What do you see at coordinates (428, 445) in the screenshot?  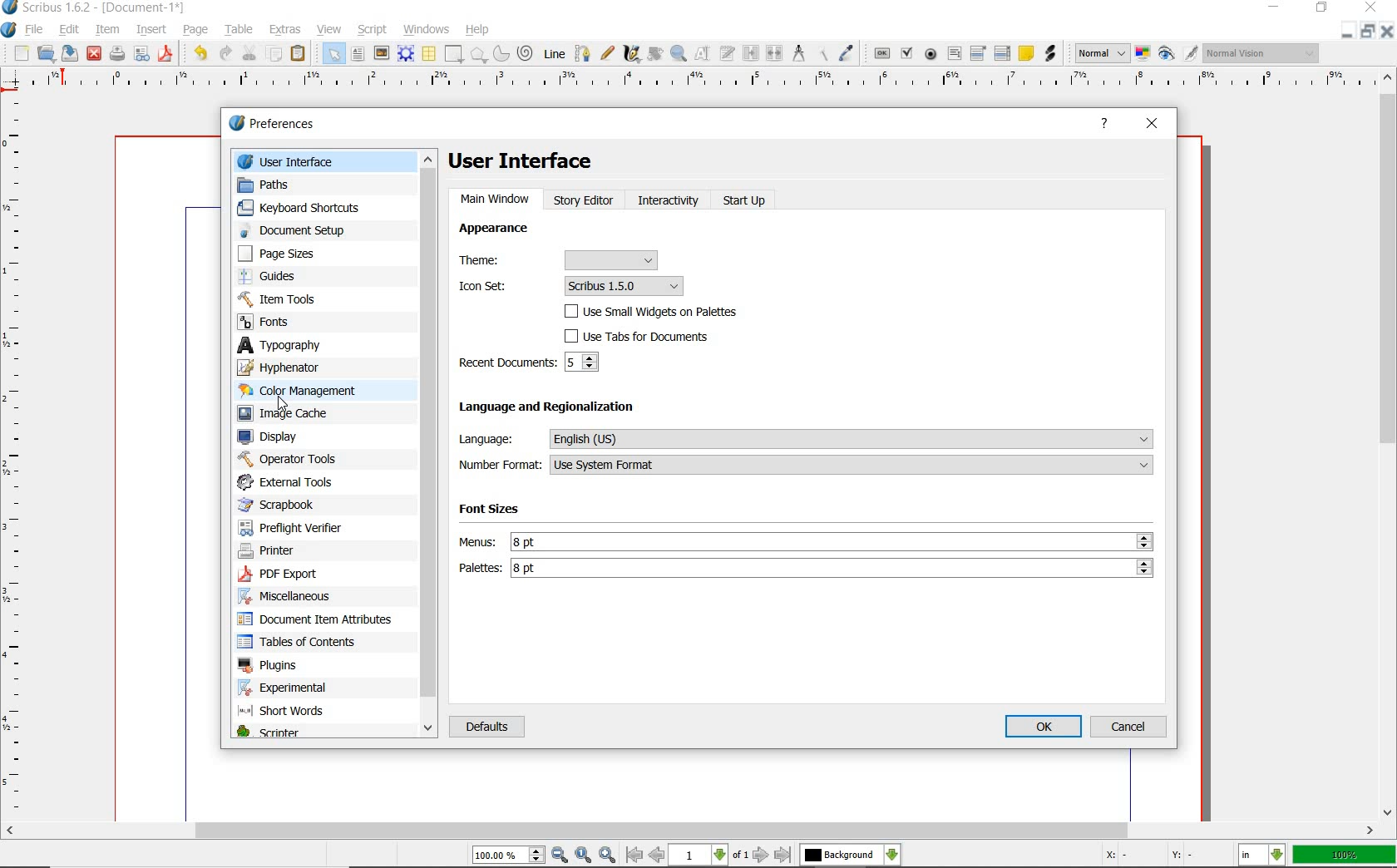 I see `scrollbar` at bounding box center [428, 445].